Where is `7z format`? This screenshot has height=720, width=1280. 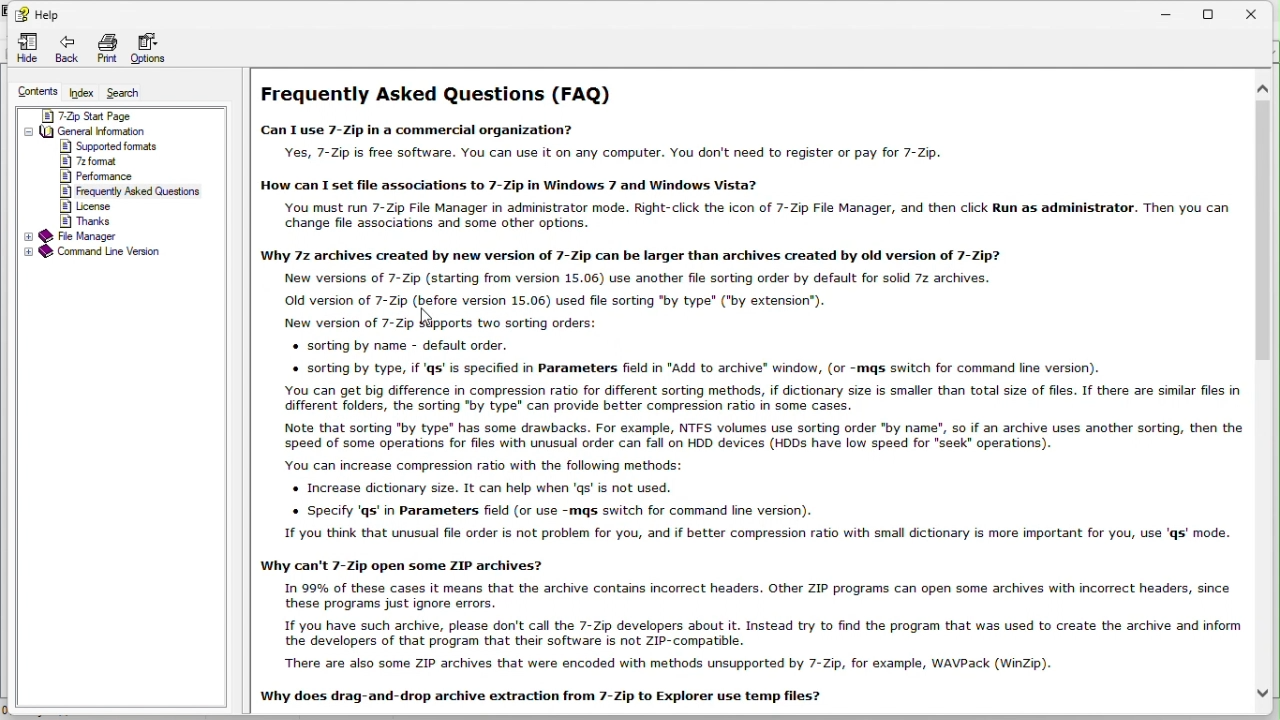
7z format is located at coordinates (92, 163).